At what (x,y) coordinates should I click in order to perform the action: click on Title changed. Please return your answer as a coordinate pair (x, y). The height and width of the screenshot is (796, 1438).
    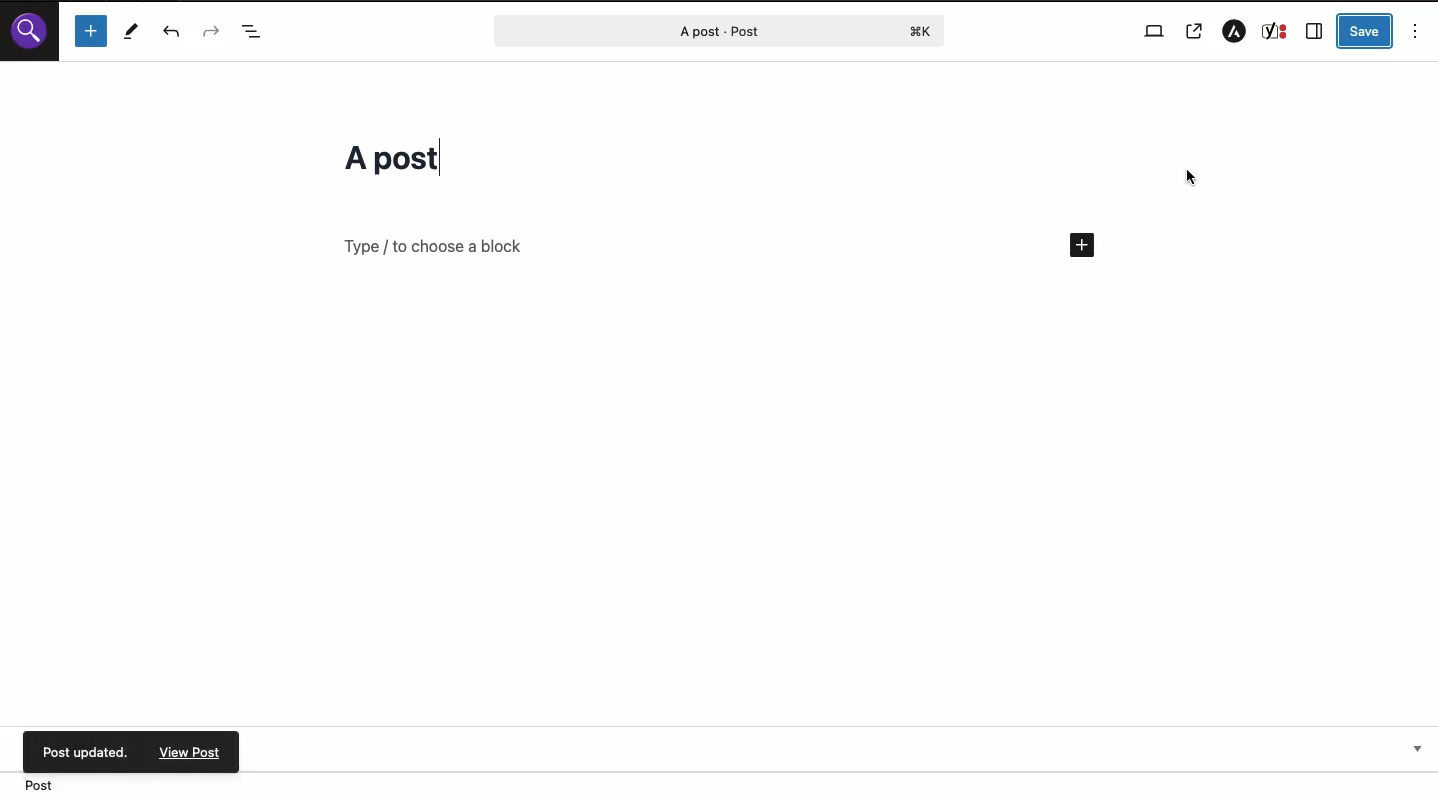
    Looking at the image, I should click on (403, 162).